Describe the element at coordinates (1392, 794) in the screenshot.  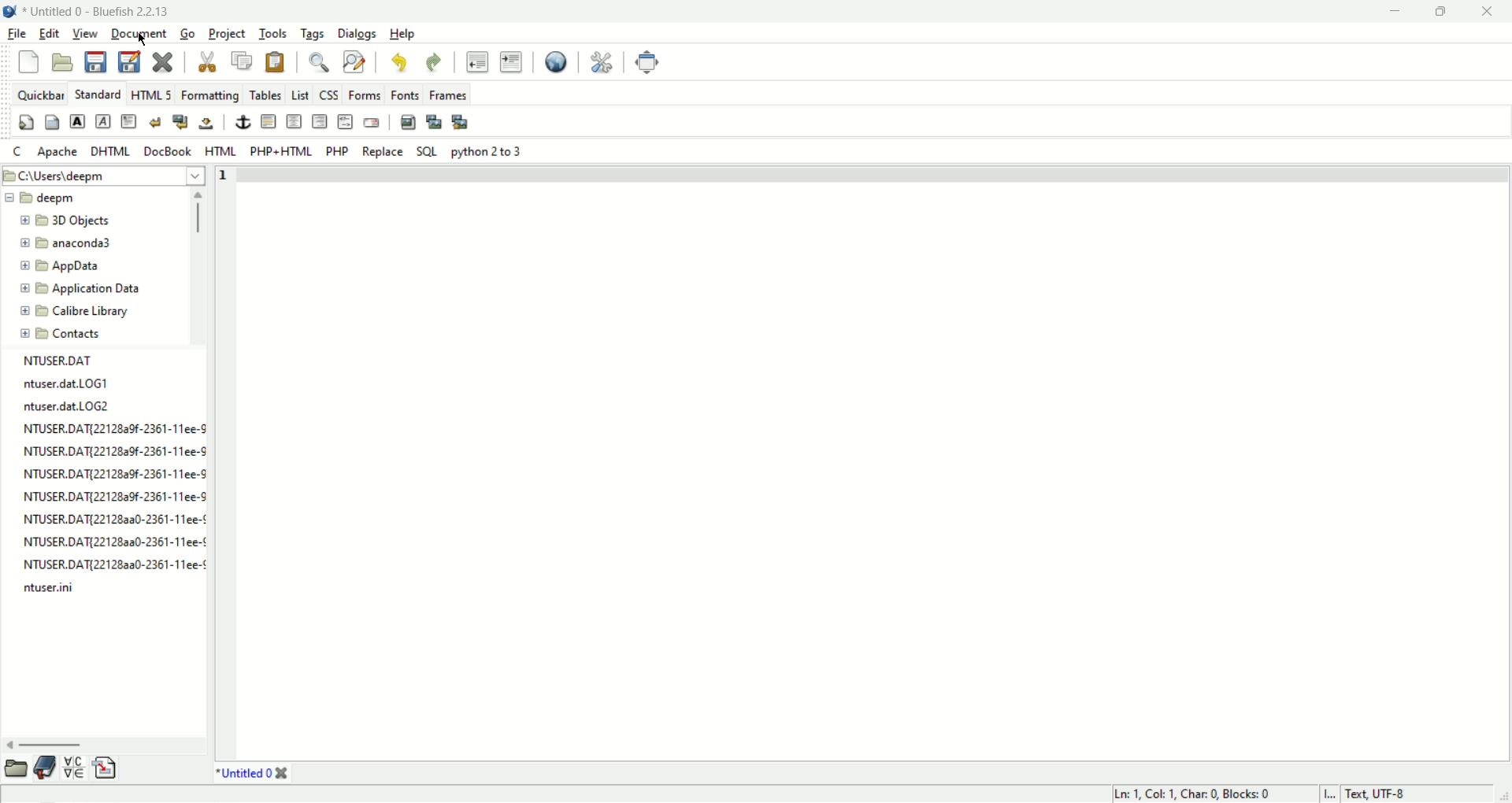
I see `Test, UTF-8` at that location.